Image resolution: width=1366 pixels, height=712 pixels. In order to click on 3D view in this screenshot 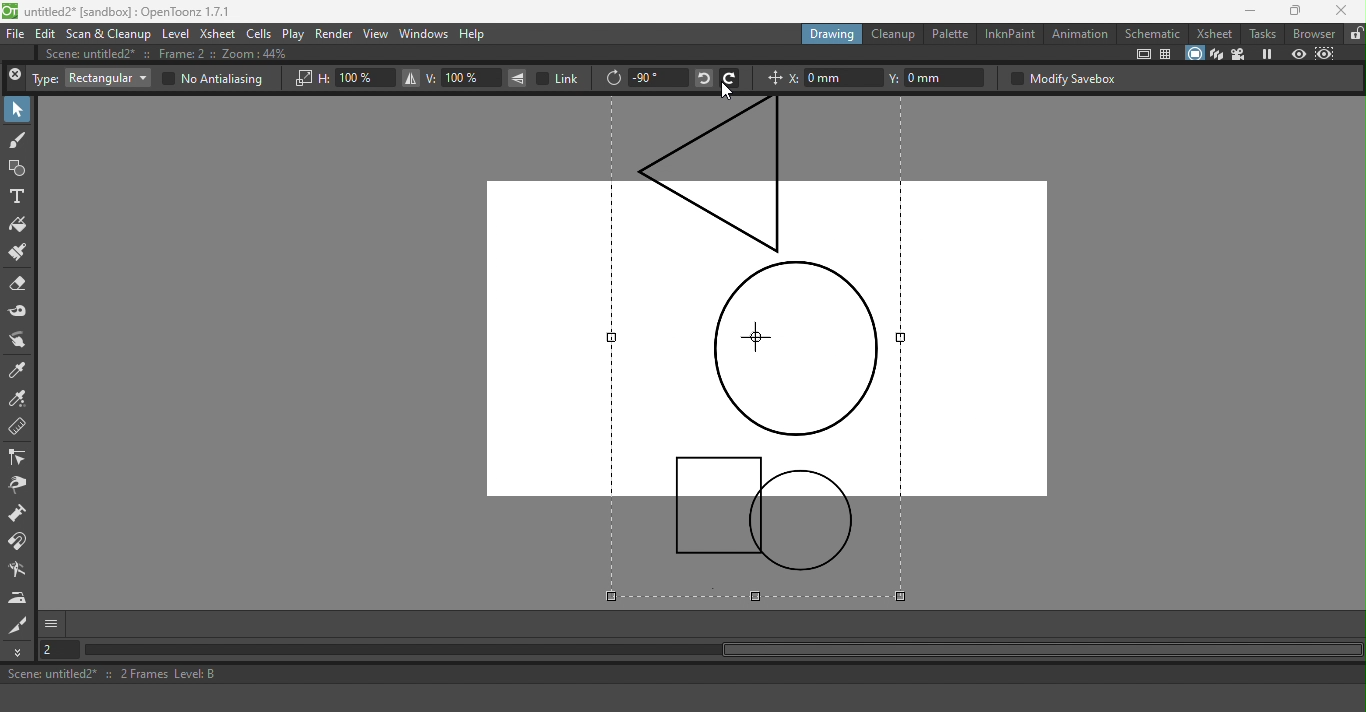, I will do `click(1217, 54)`.